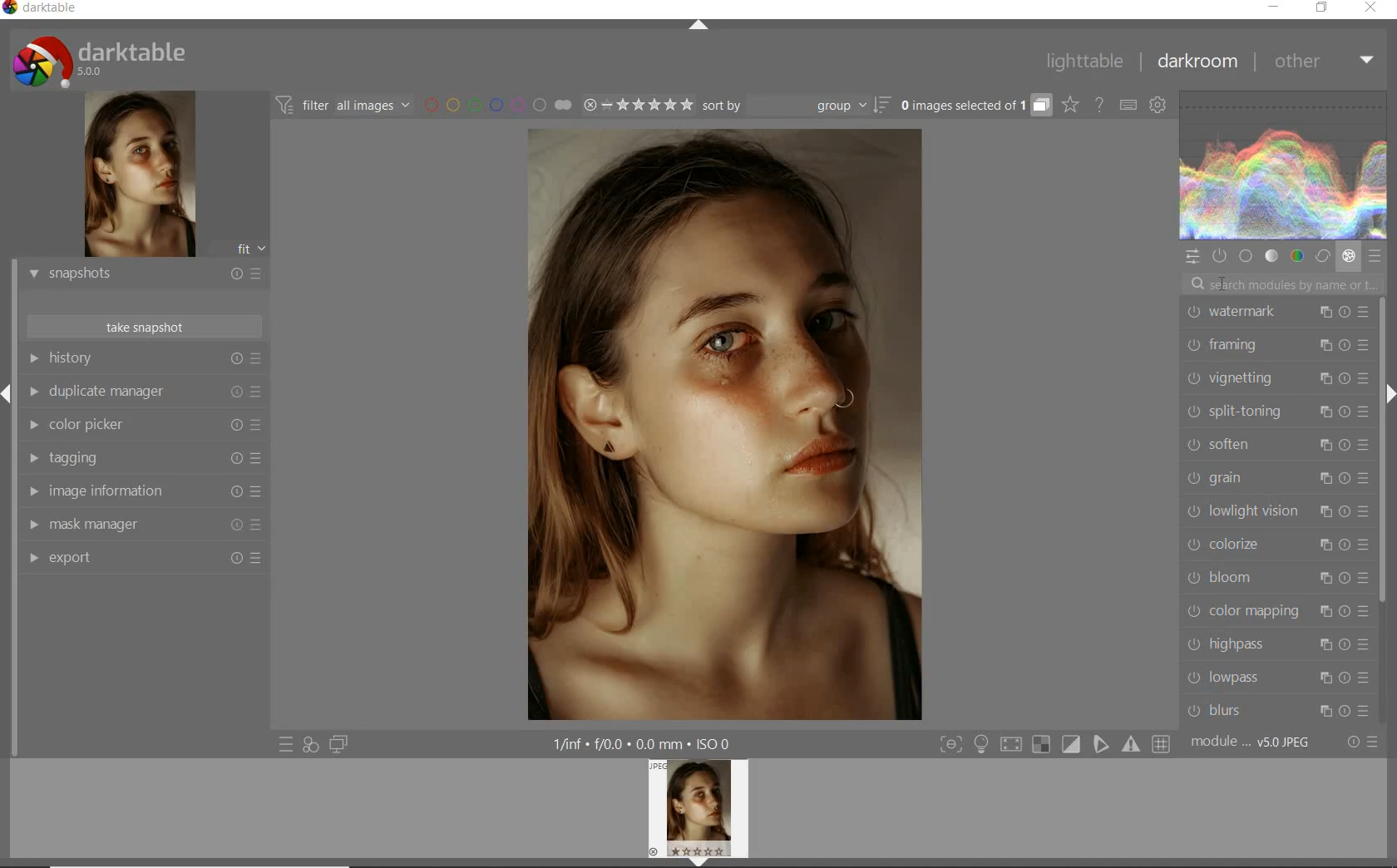 The height and width of the screenshot is (868, 1397). What do you see at coordinates (1261, 744) in the screenshot?
I see `module....V5.0jpeg` at bounding box center [1261, 744].